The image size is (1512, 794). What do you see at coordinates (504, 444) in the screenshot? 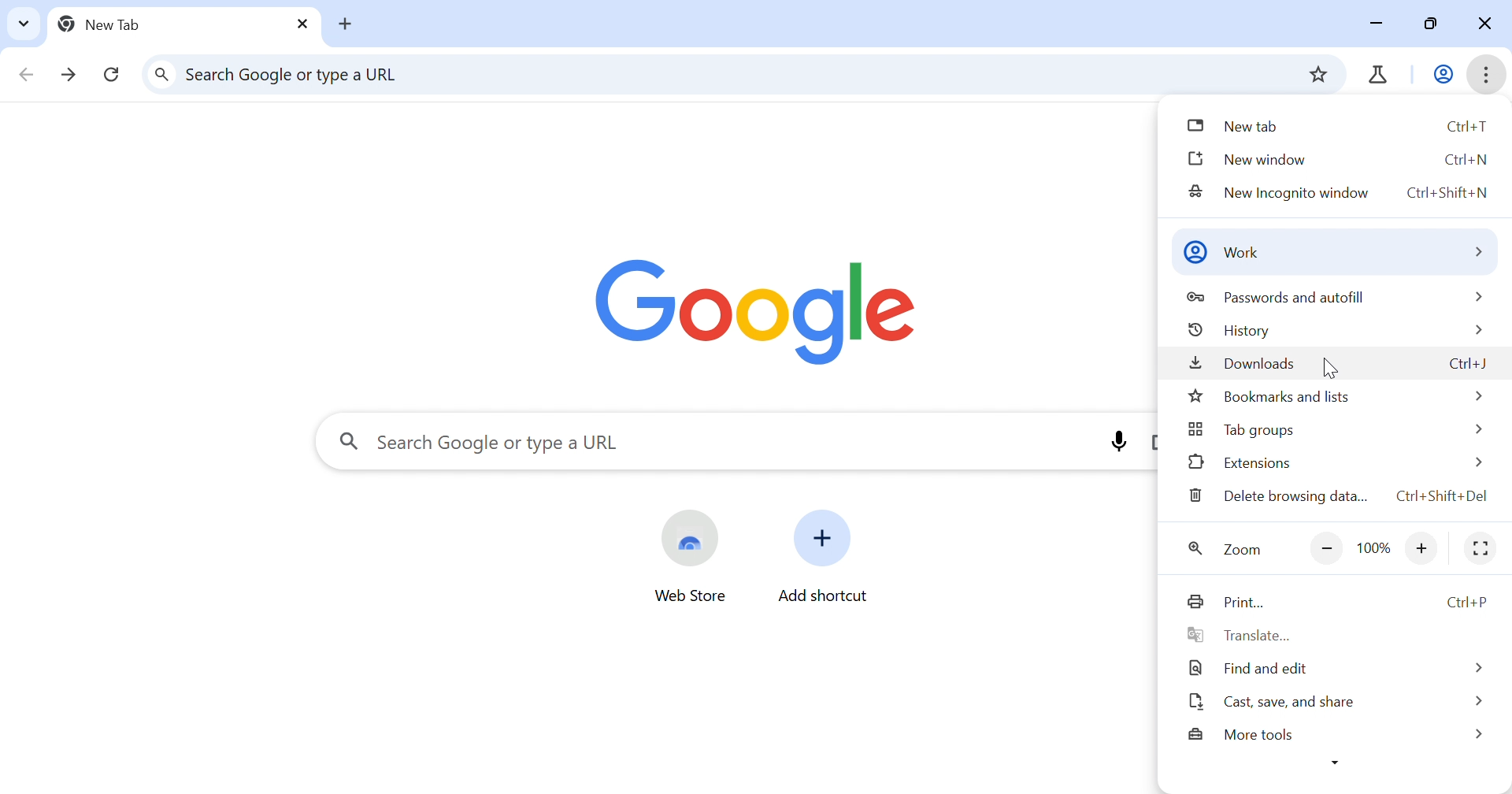
I see `Search Google or type a URL` at bounding box center [504, 444].